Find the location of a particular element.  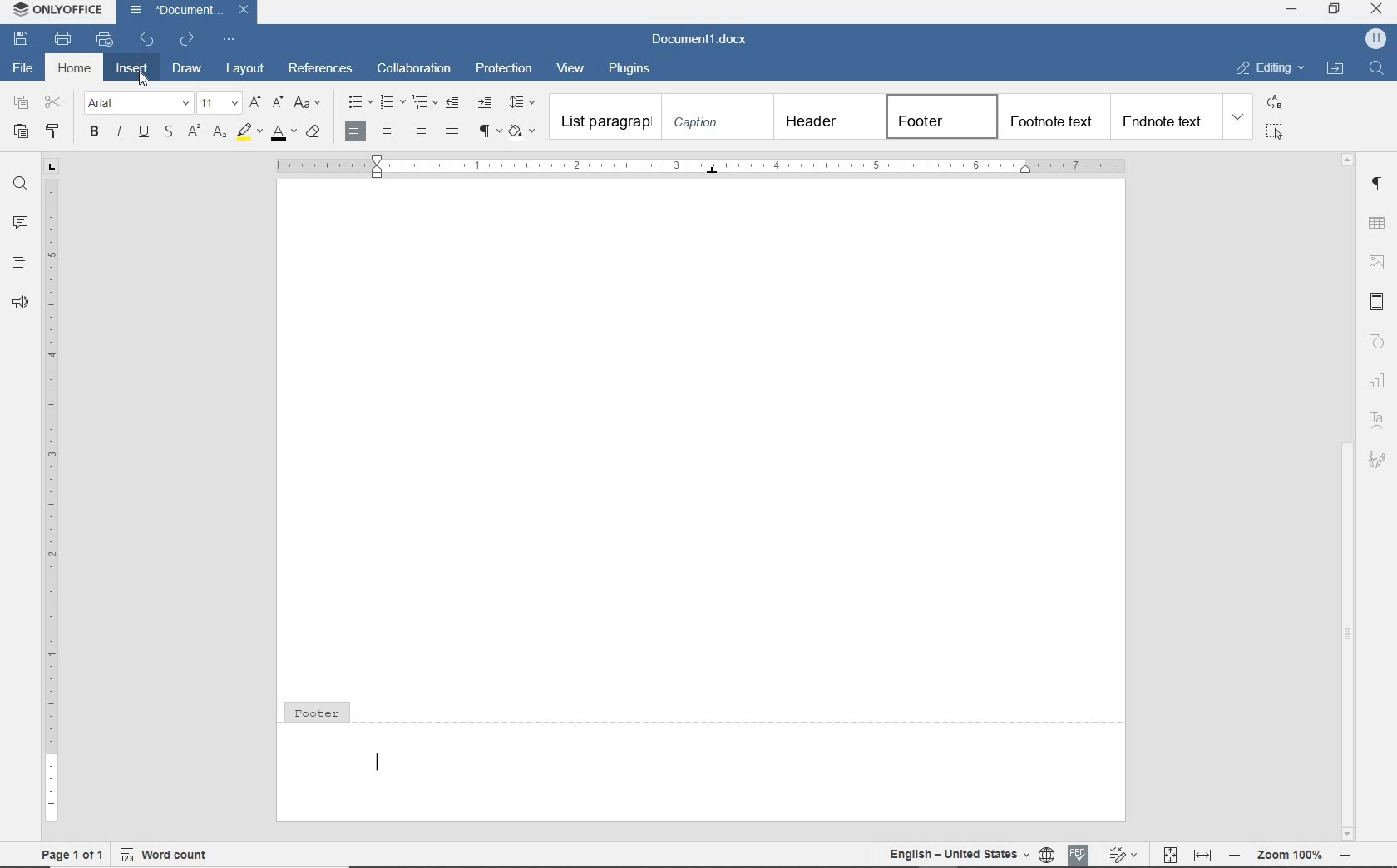

zoom out is located at coordinates (1236, 855).